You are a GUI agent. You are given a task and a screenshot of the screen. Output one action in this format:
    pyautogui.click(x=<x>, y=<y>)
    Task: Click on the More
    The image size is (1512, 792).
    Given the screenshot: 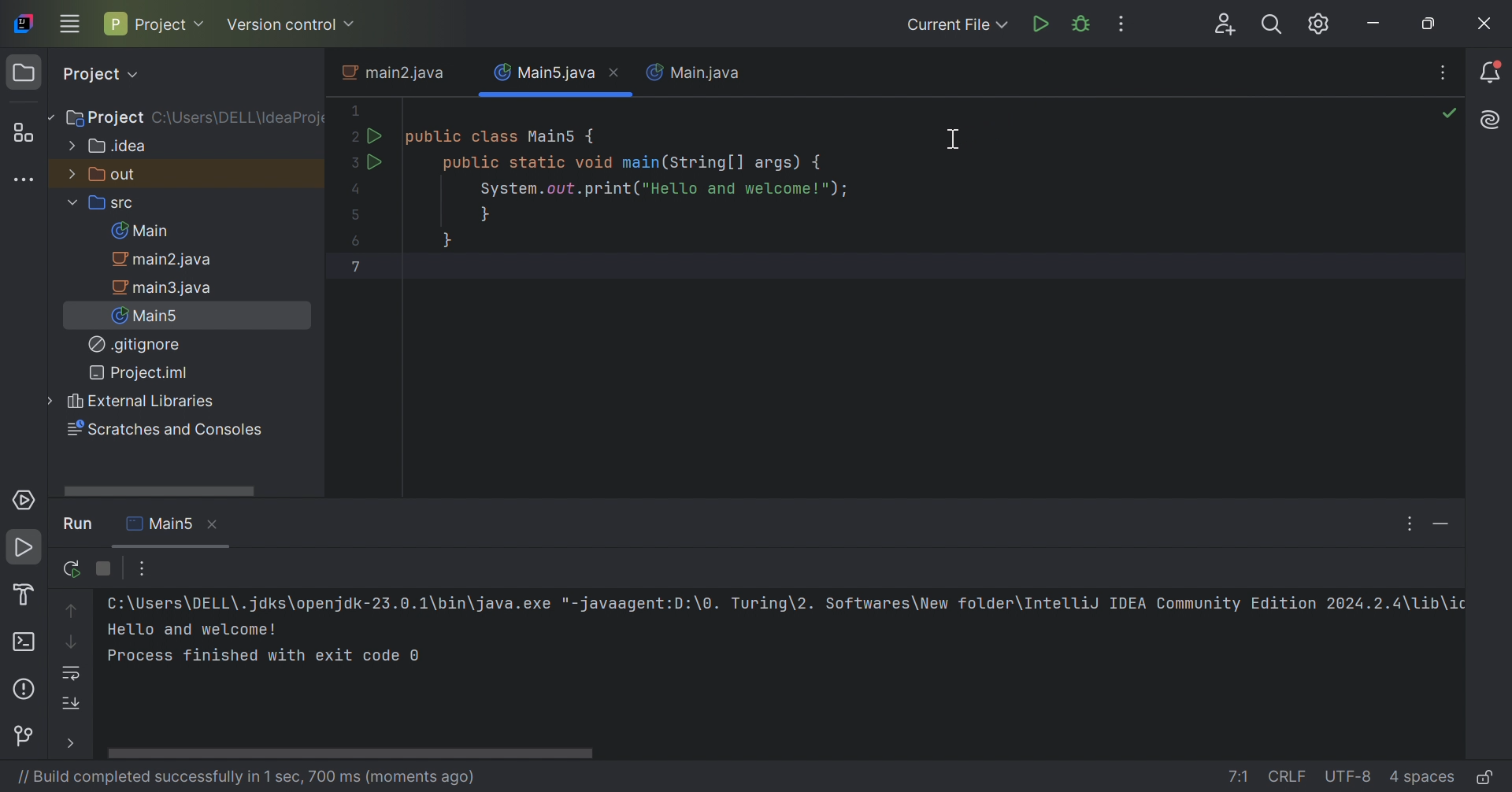 What is the action you would take?
    pyautogui.click(x=143, y=568)
    